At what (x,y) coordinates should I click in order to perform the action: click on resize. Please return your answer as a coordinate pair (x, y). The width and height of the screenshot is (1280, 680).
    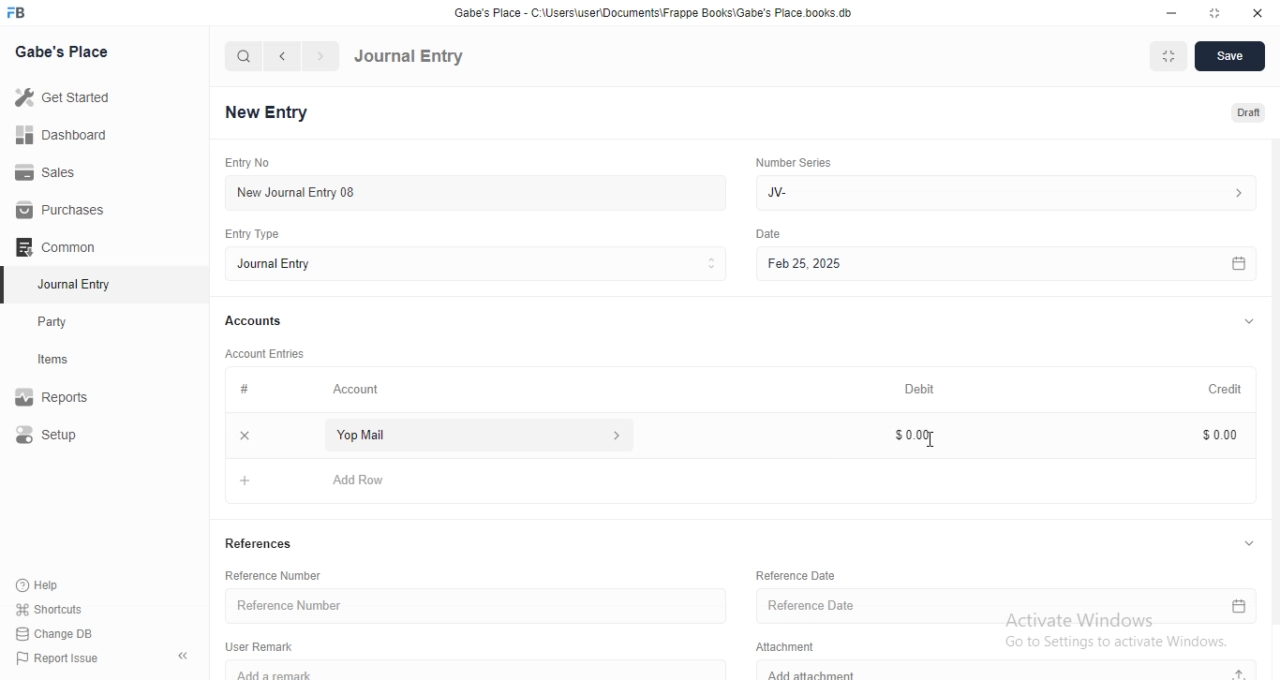
    Looking at the image, I should click on (1211, 12).